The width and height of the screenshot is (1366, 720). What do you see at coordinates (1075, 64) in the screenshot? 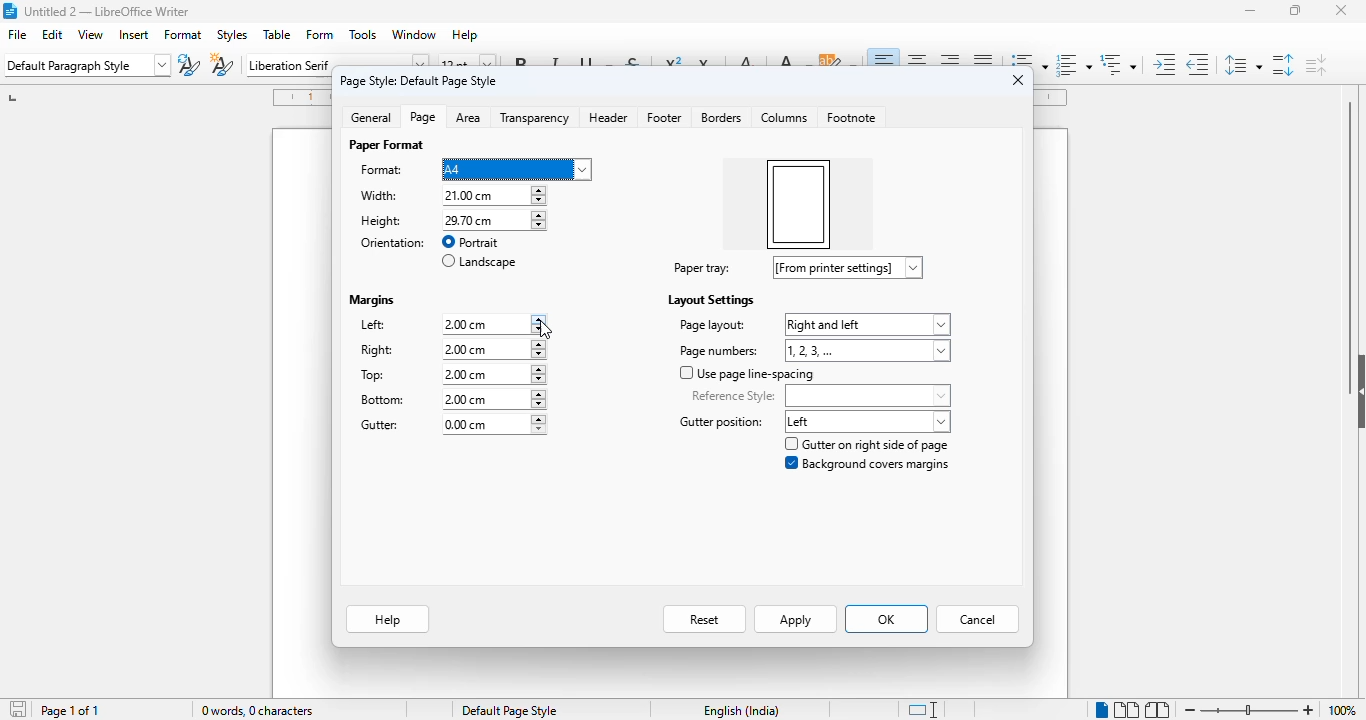
I see `toggle ordered list` at bounding box center [1075, 64].